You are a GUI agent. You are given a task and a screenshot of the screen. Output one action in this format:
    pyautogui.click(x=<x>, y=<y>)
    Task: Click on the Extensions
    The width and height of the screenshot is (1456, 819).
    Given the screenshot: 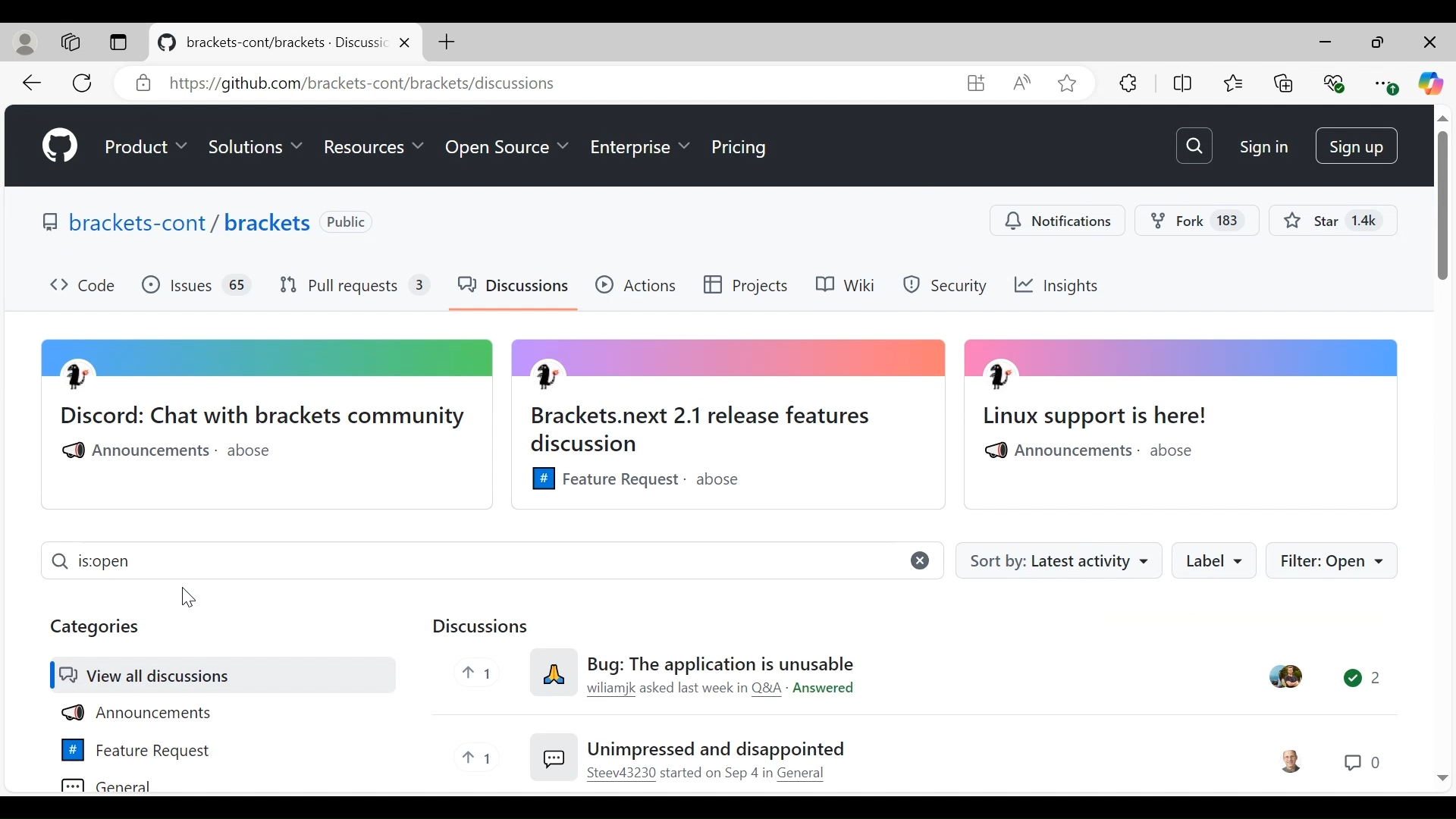 What is the action you would take?
    pyautogui.click(x=1128, y=81)
    